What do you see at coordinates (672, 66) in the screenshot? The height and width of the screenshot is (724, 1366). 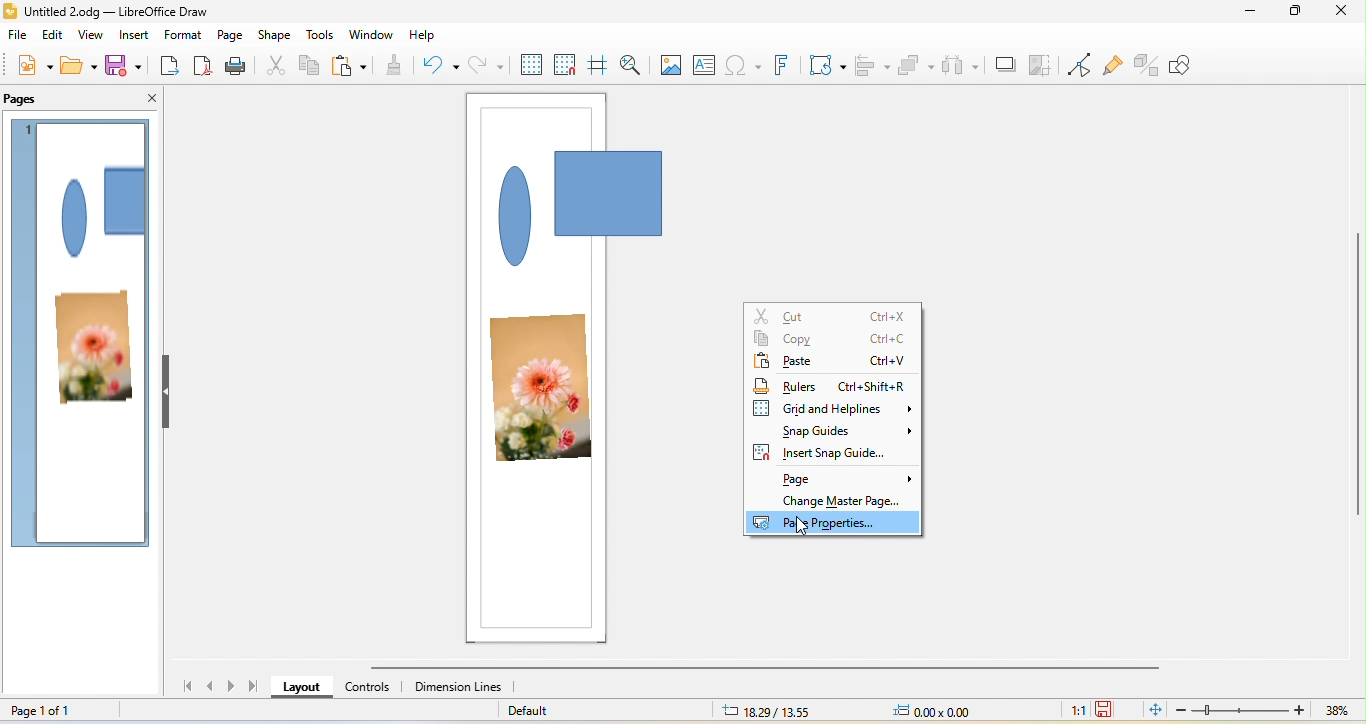 I see `image` at bounding box center [672, 66].